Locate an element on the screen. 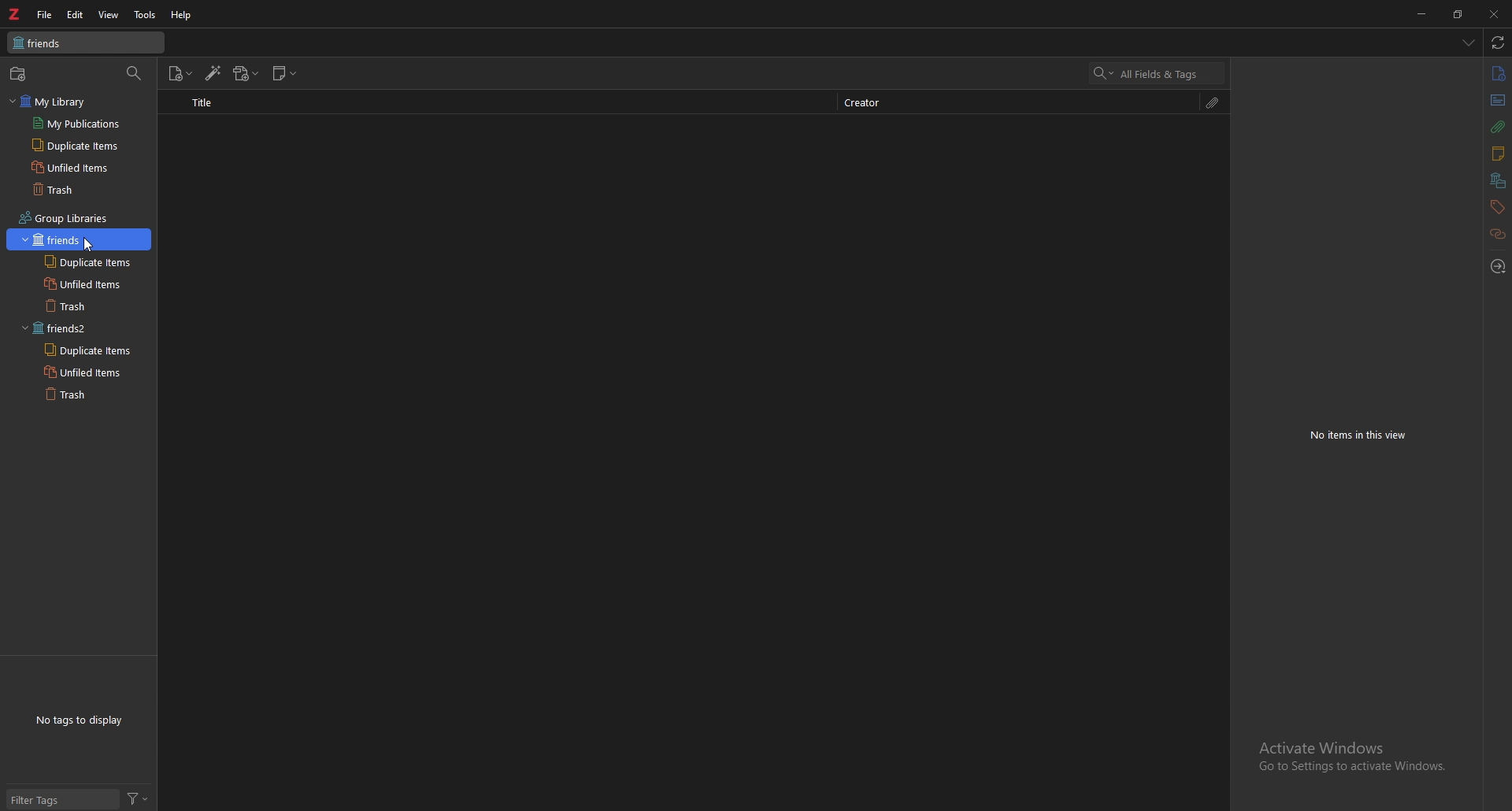  add items by identifier is located at coordinates (214, 74).